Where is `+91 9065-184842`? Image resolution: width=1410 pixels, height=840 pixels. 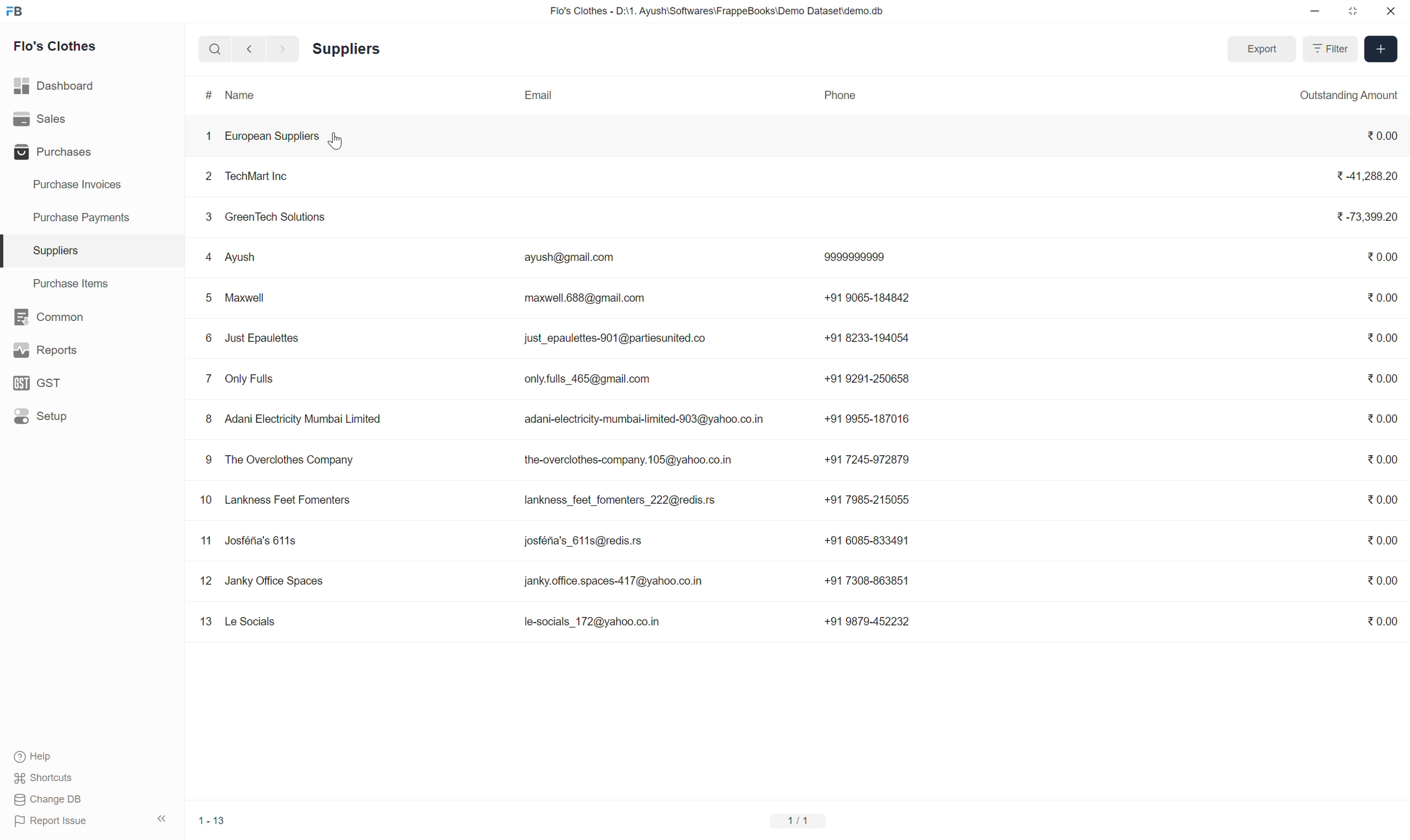
+91 9065-184842 is located at coordinates (873, 297).